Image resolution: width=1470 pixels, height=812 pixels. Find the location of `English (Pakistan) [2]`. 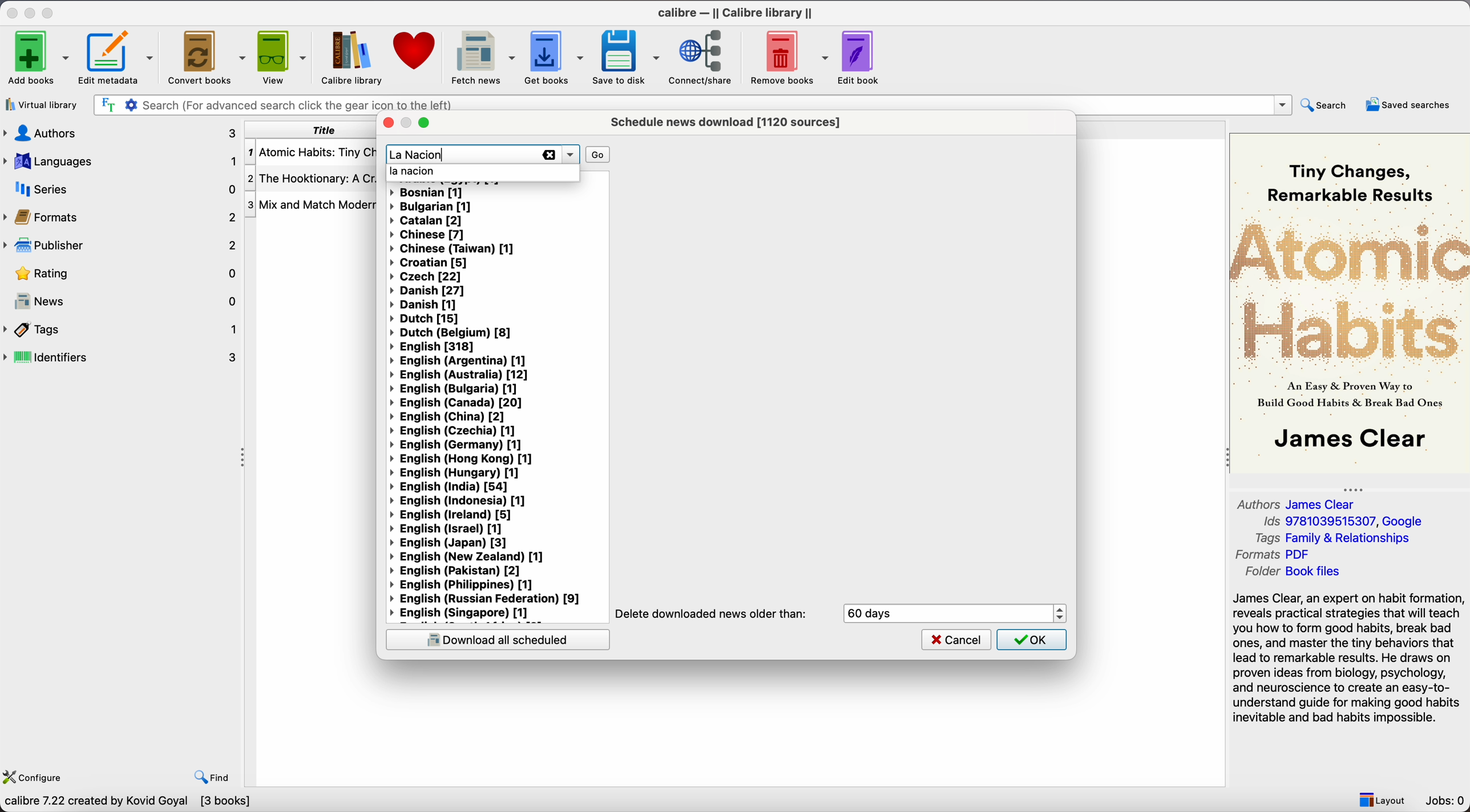

English (Pakistan) [2] is located at coordinates (458, 571).